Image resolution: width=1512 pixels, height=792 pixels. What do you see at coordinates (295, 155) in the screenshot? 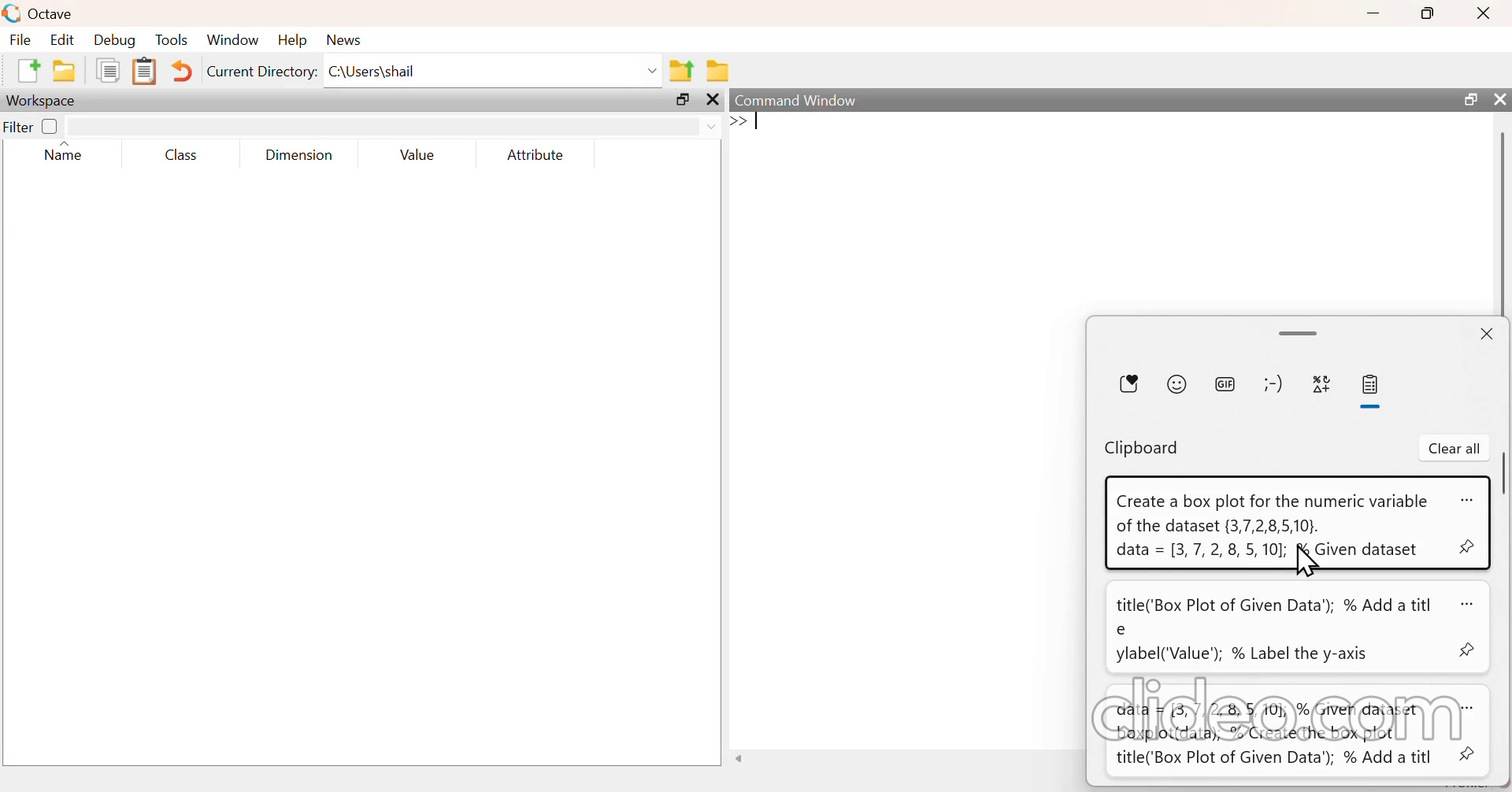
I see `dimension` at bounding box center [295, 155].